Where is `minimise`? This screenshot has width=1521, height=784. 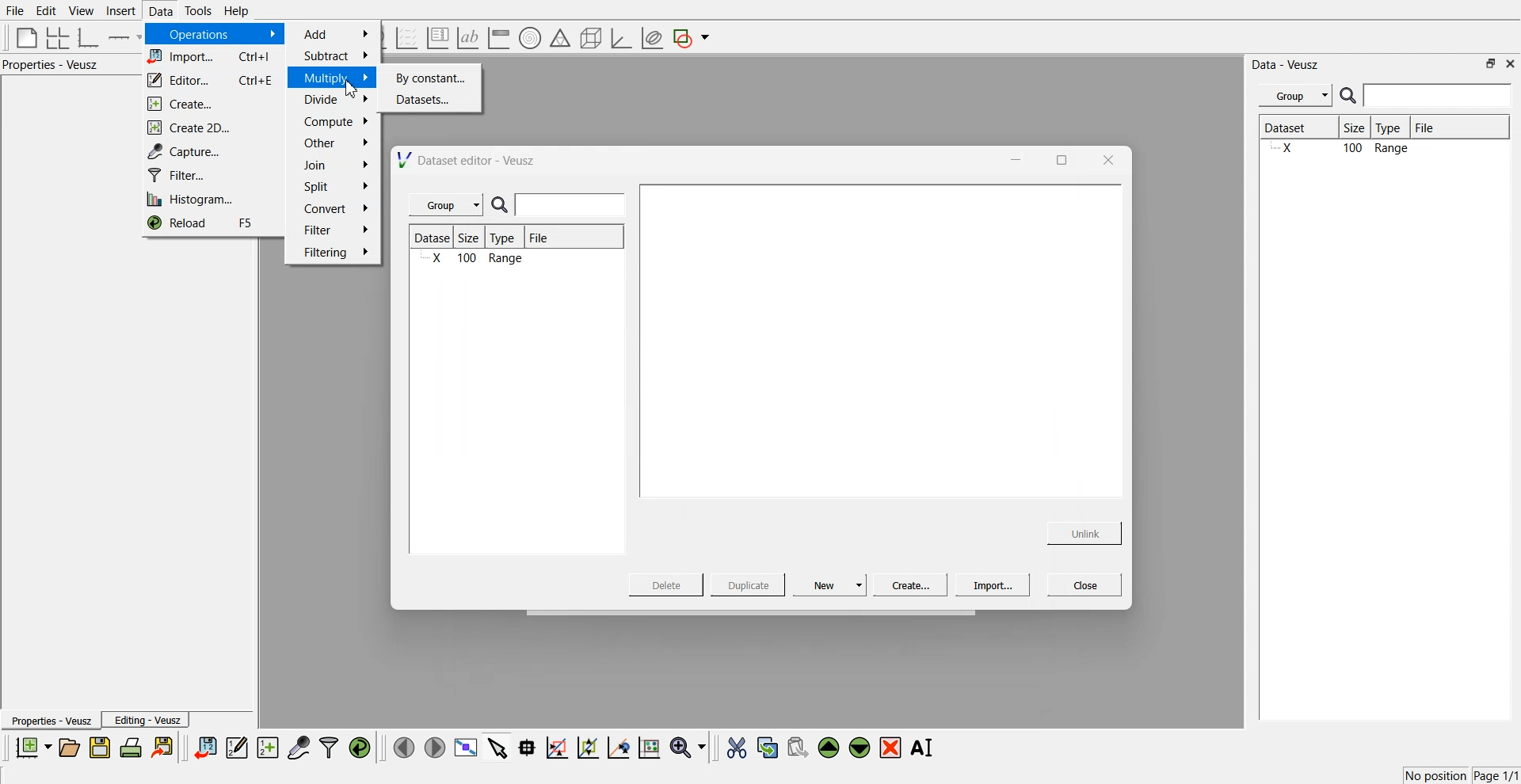
minimise is located at coordinates (1012, 158).